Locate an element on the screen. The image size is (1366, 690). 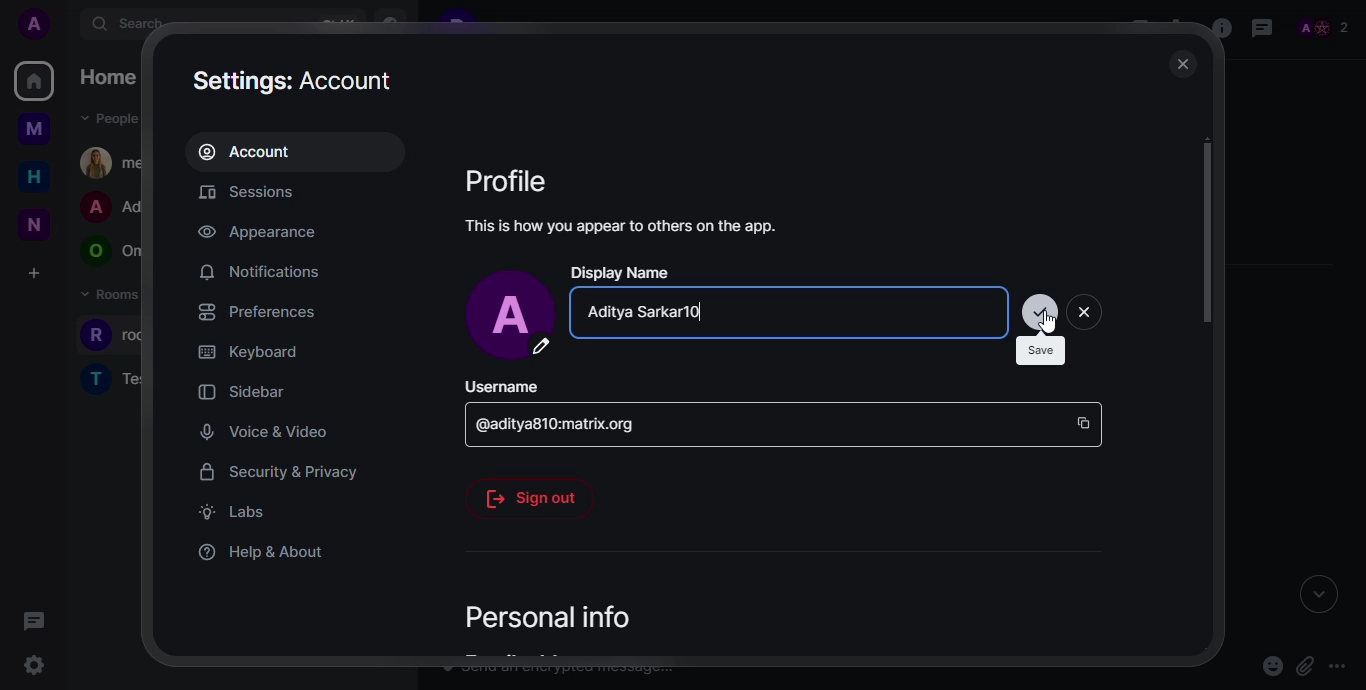
copy is located at coordinates (1085, 420).